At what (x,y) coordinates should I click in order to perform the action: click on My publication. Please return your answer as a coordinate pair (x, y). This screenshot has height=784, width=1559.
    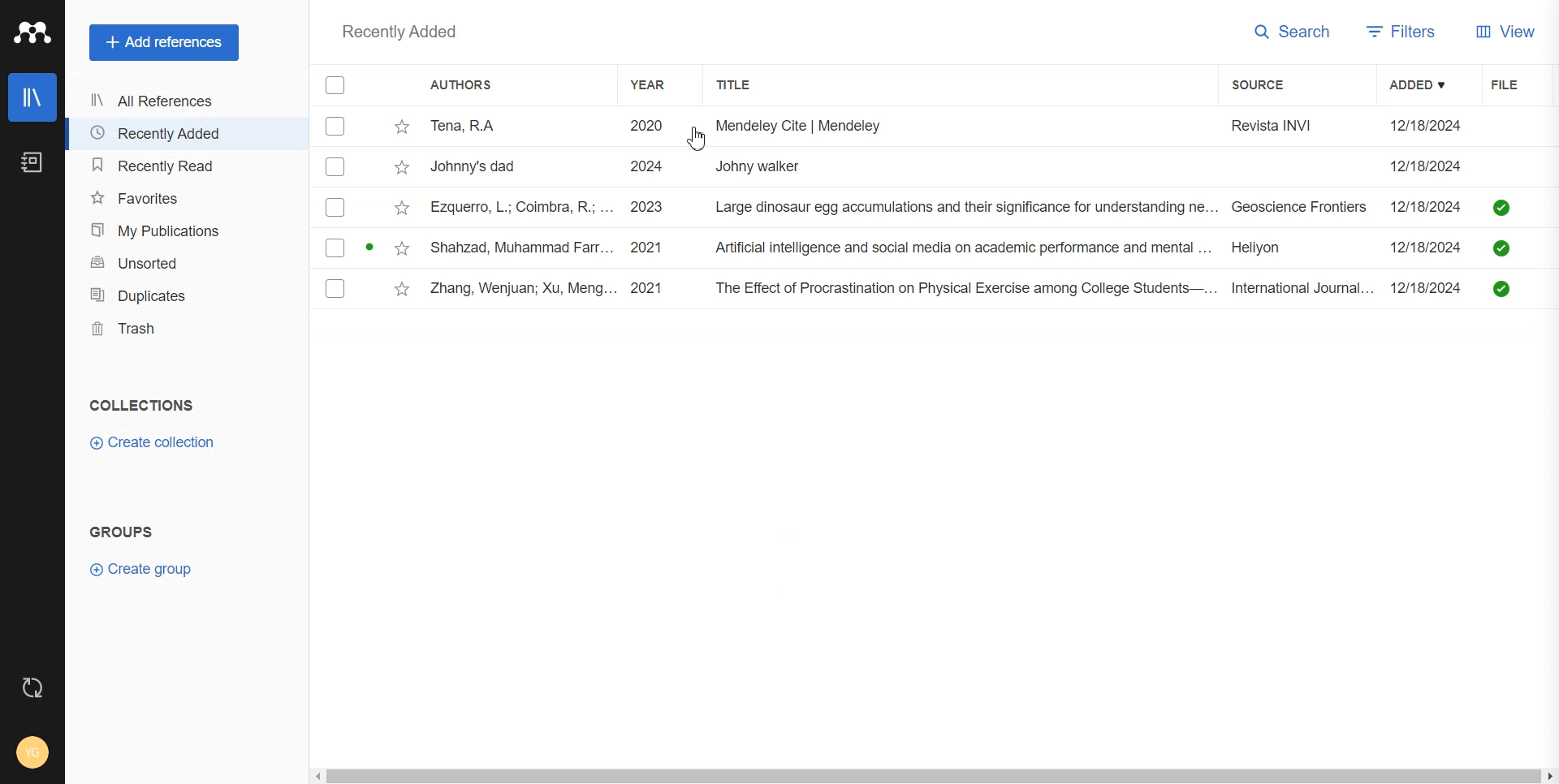
    Looking at the image, I should click on (187, 230).